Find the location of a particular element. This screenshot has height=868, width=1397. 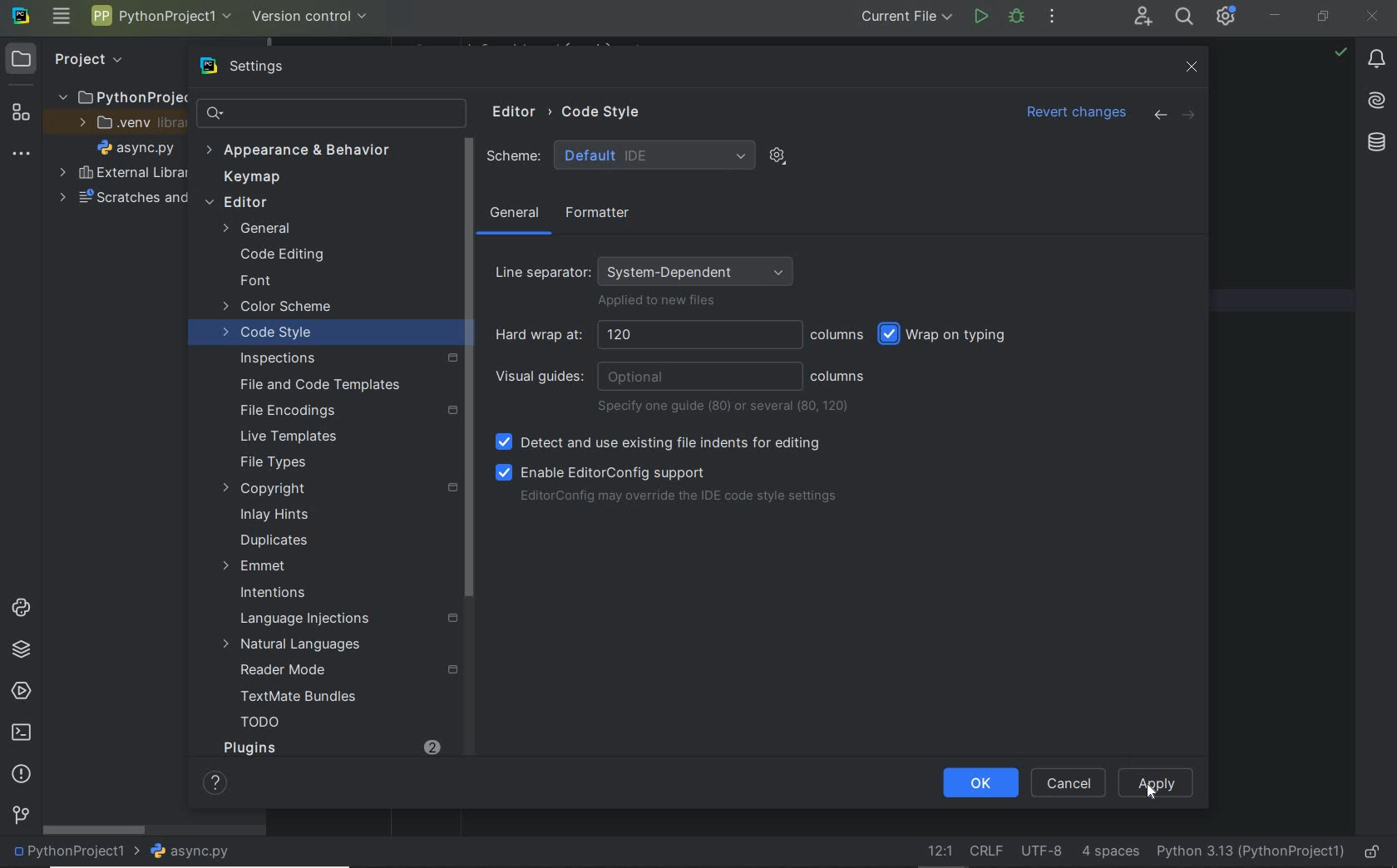

file name is located at coordinates (196, 851).